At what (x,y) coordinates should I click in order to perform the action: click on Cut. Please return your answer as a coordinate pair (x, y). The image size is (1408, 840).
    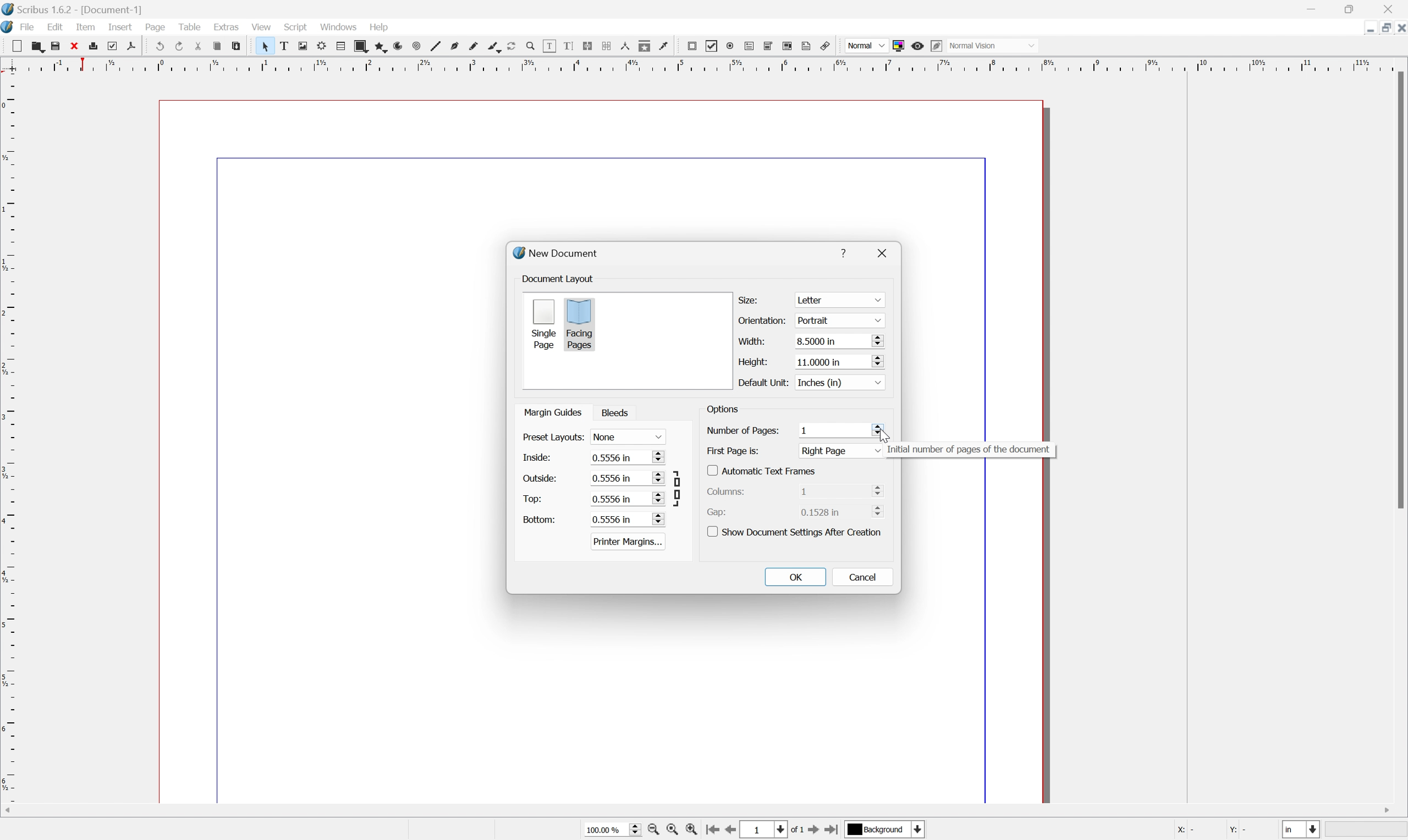
    Looking at the image, I should click on (201, 46).